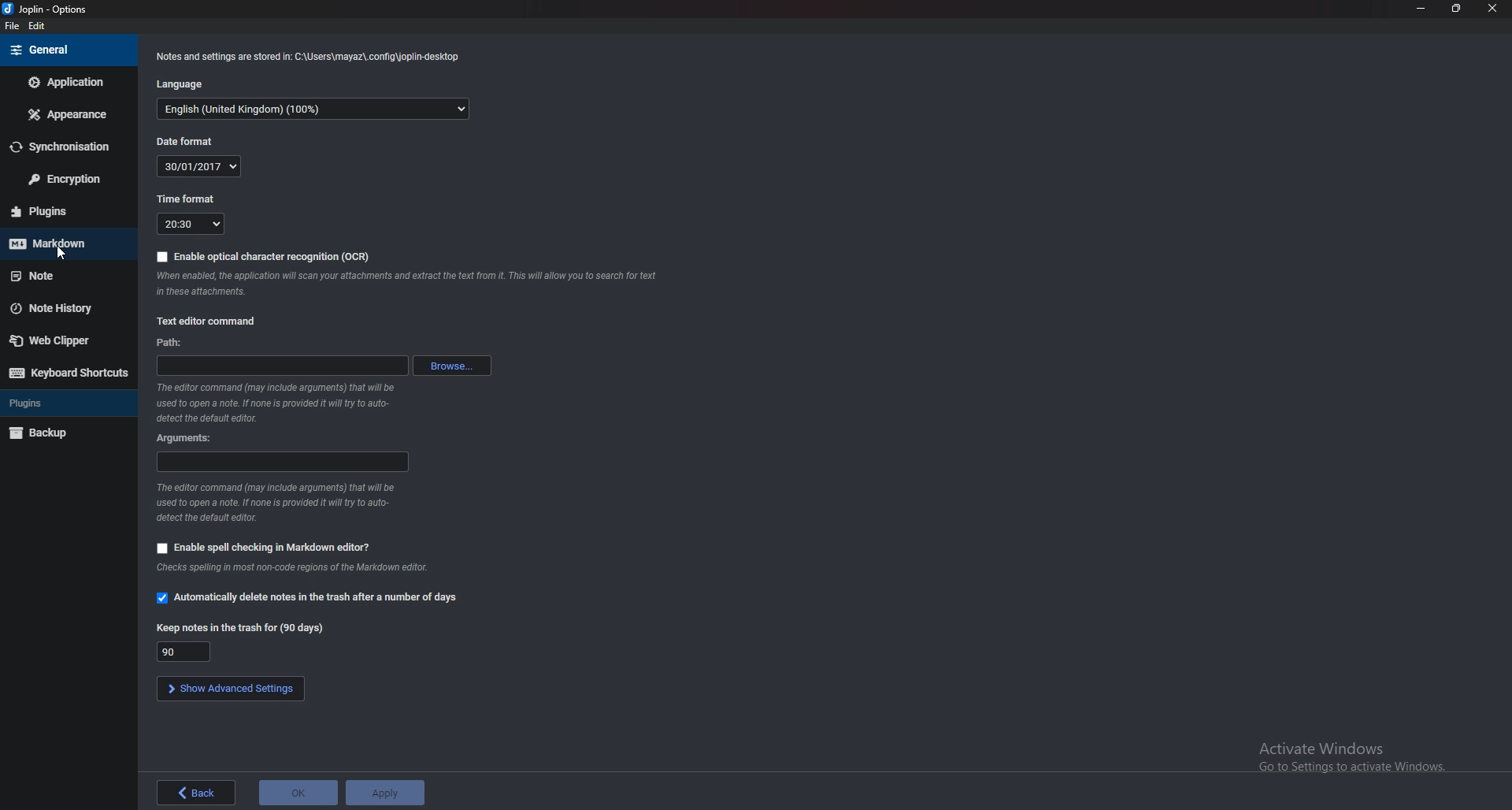  Describe the element at coordinates (66, 50) in the screenshot. I see `general` at that location.